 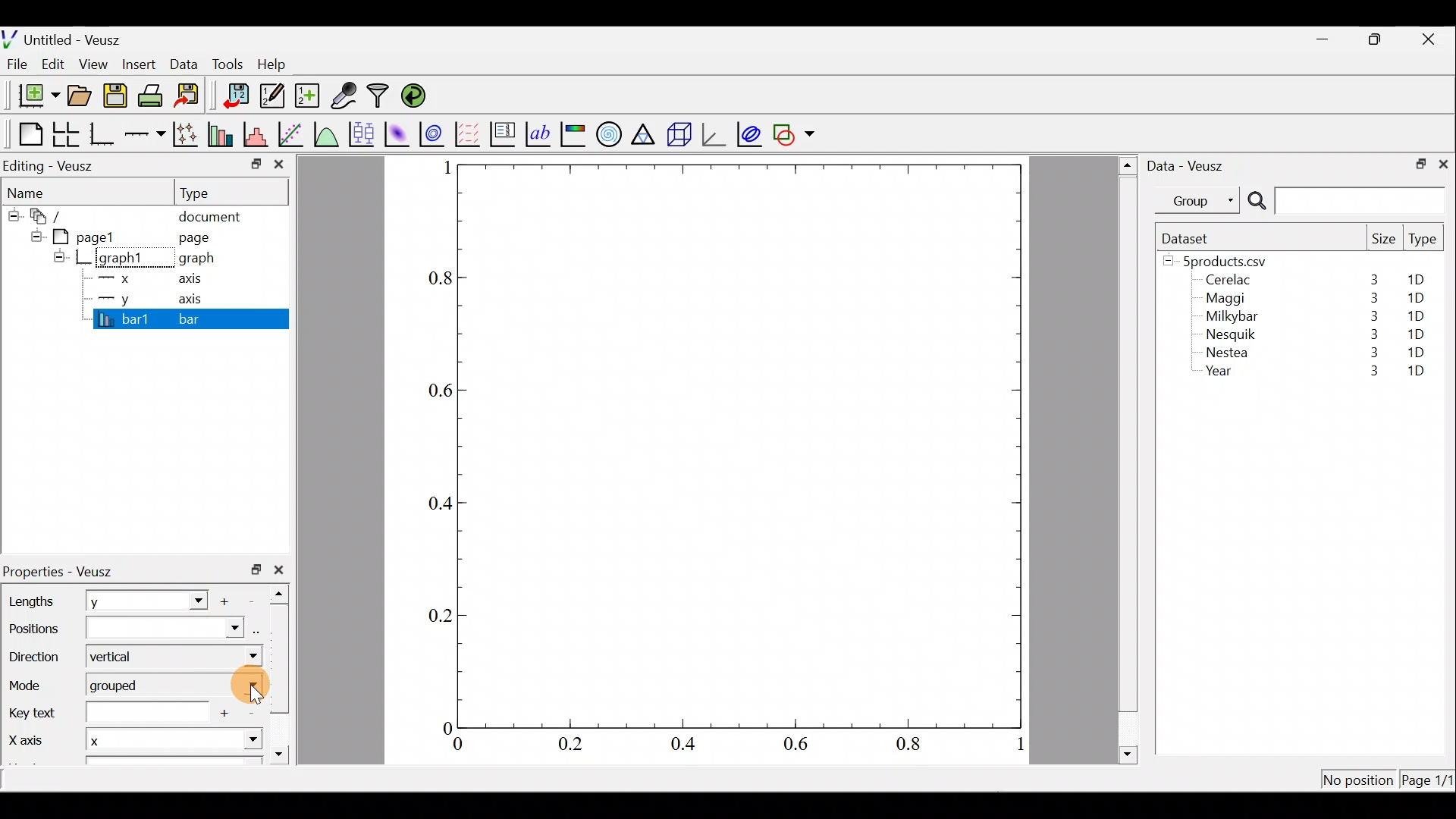 What do you see at coordinates (1359, 781) in the screenshot?
I see `No position` at bounding box center [1359, 781].